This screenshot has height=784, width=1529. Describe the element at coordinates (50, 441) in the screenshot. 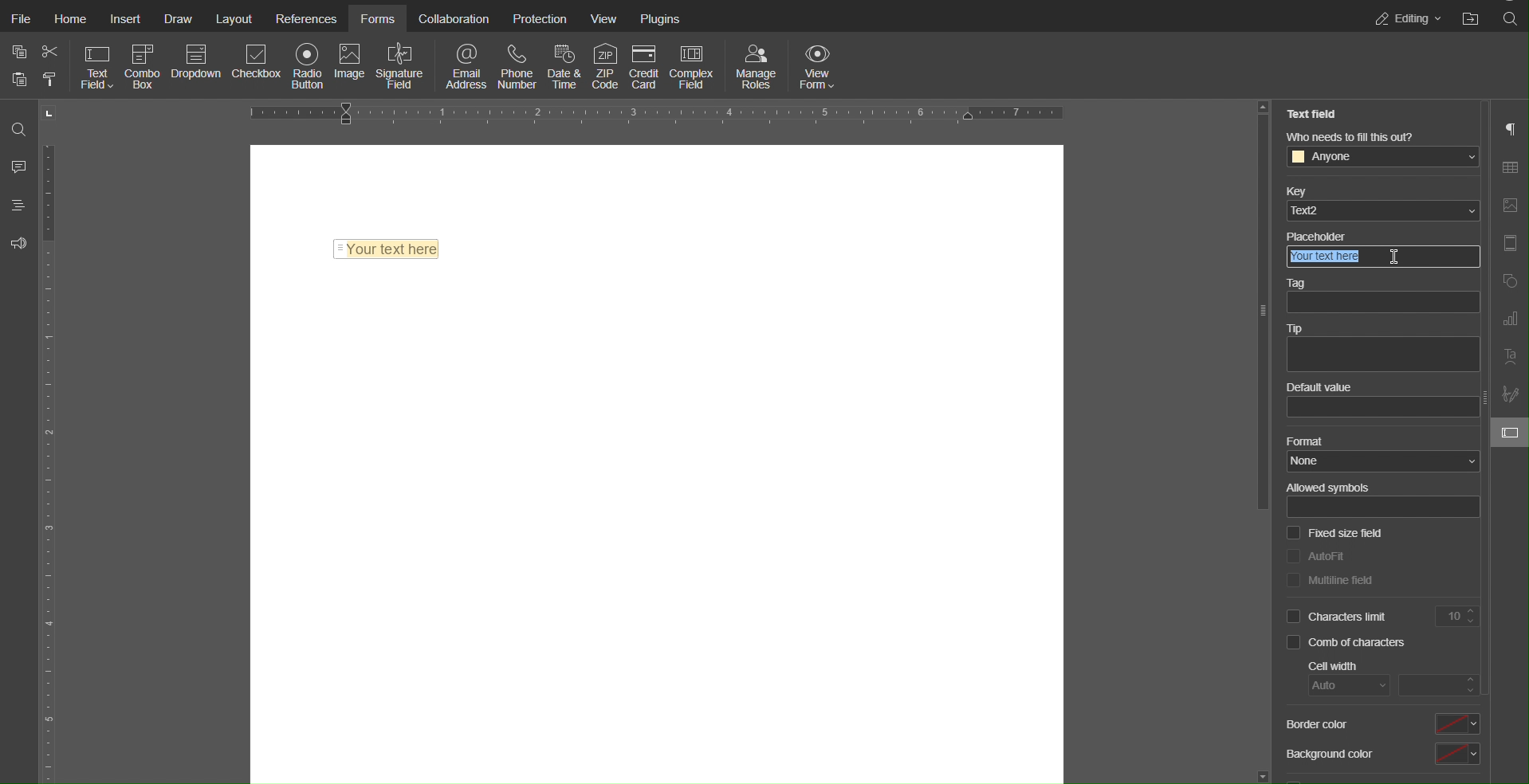

I see `Vertical Ruler` at that location.